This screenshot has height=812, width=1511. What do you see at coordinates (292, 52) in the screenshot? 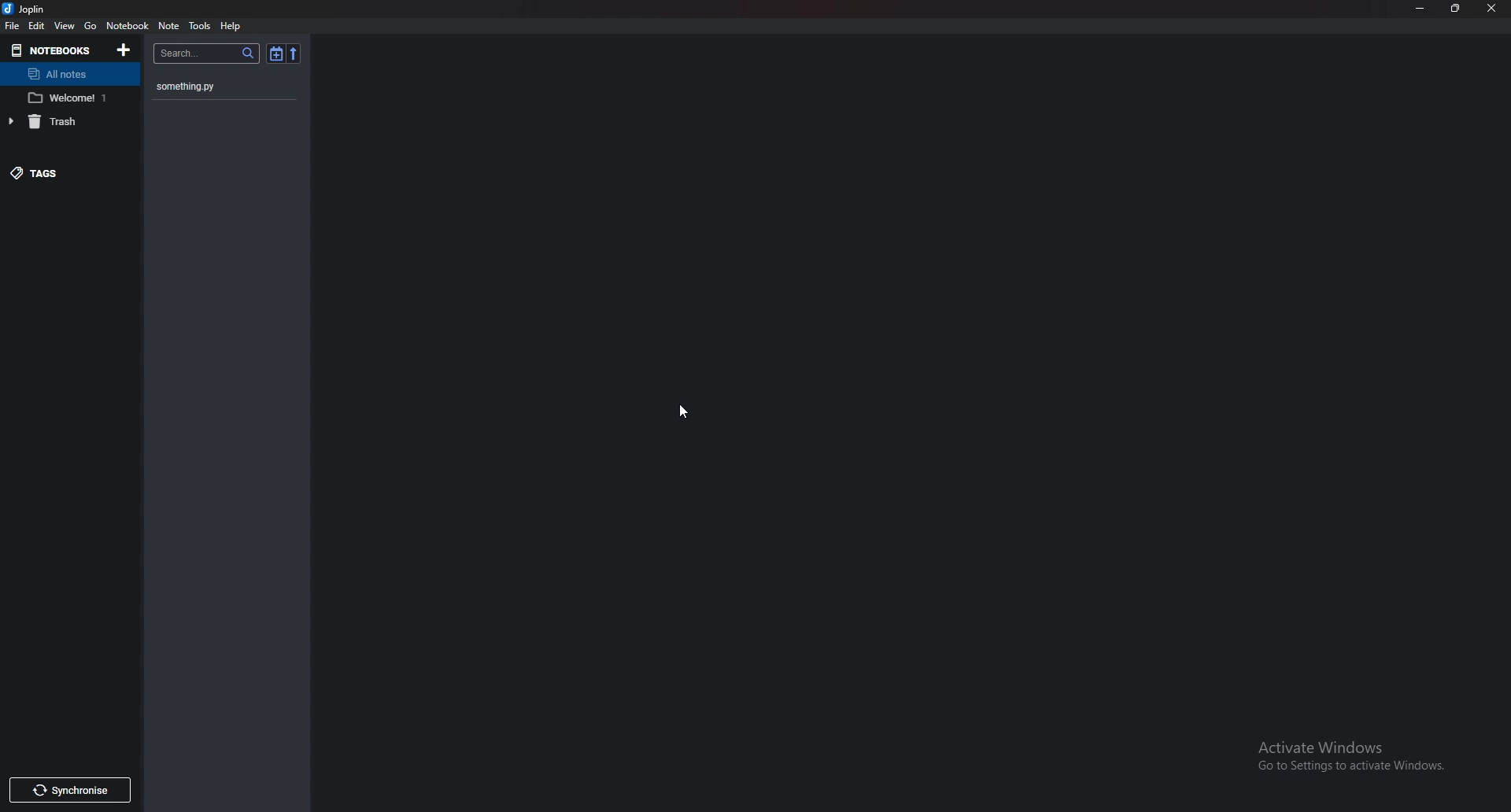
I see `Reverse sort order` at bounding box center [292, 52].